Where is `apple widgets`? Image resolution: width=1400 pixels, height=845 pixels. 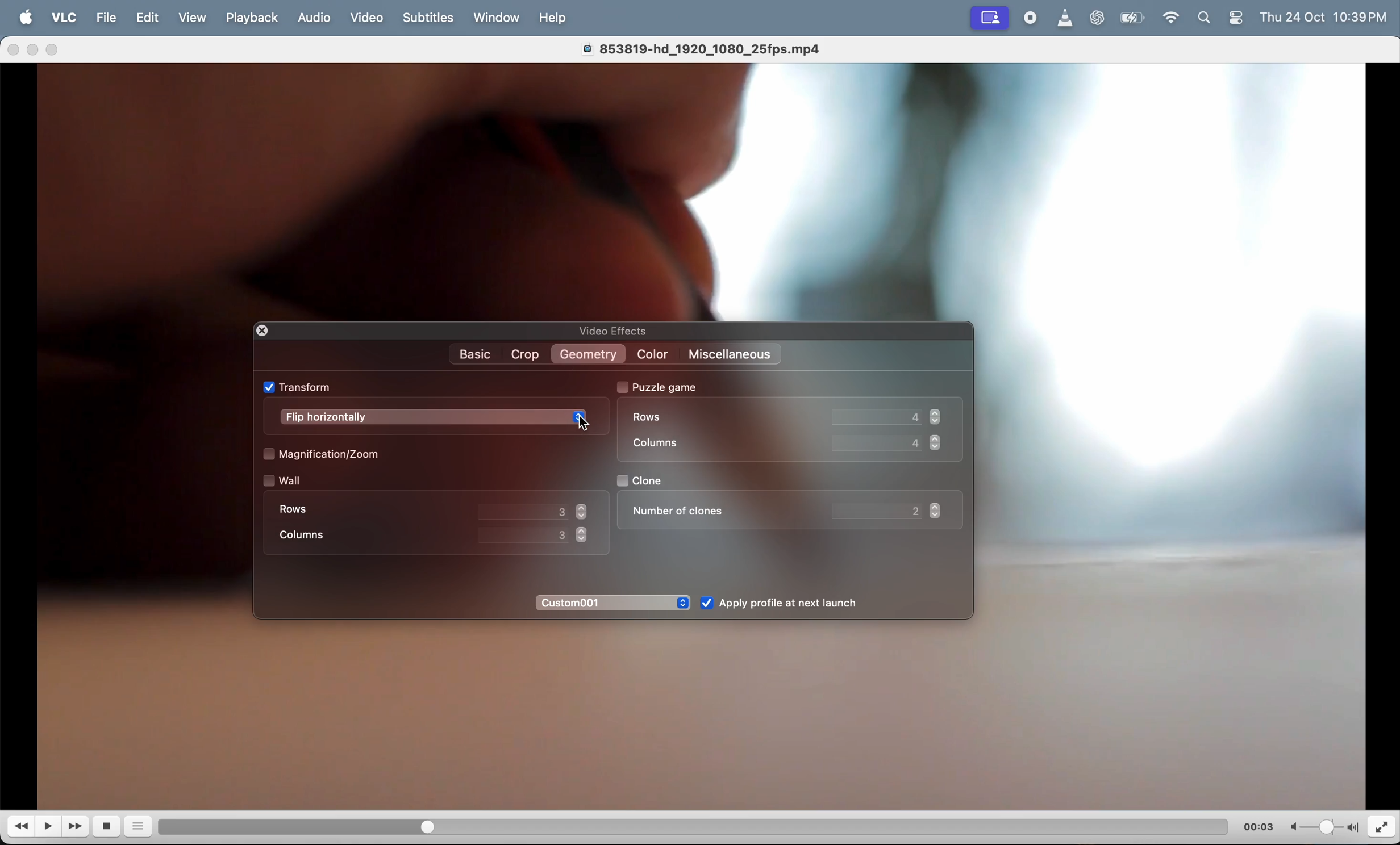
apple widgets is located at coordinates (1222, 18).